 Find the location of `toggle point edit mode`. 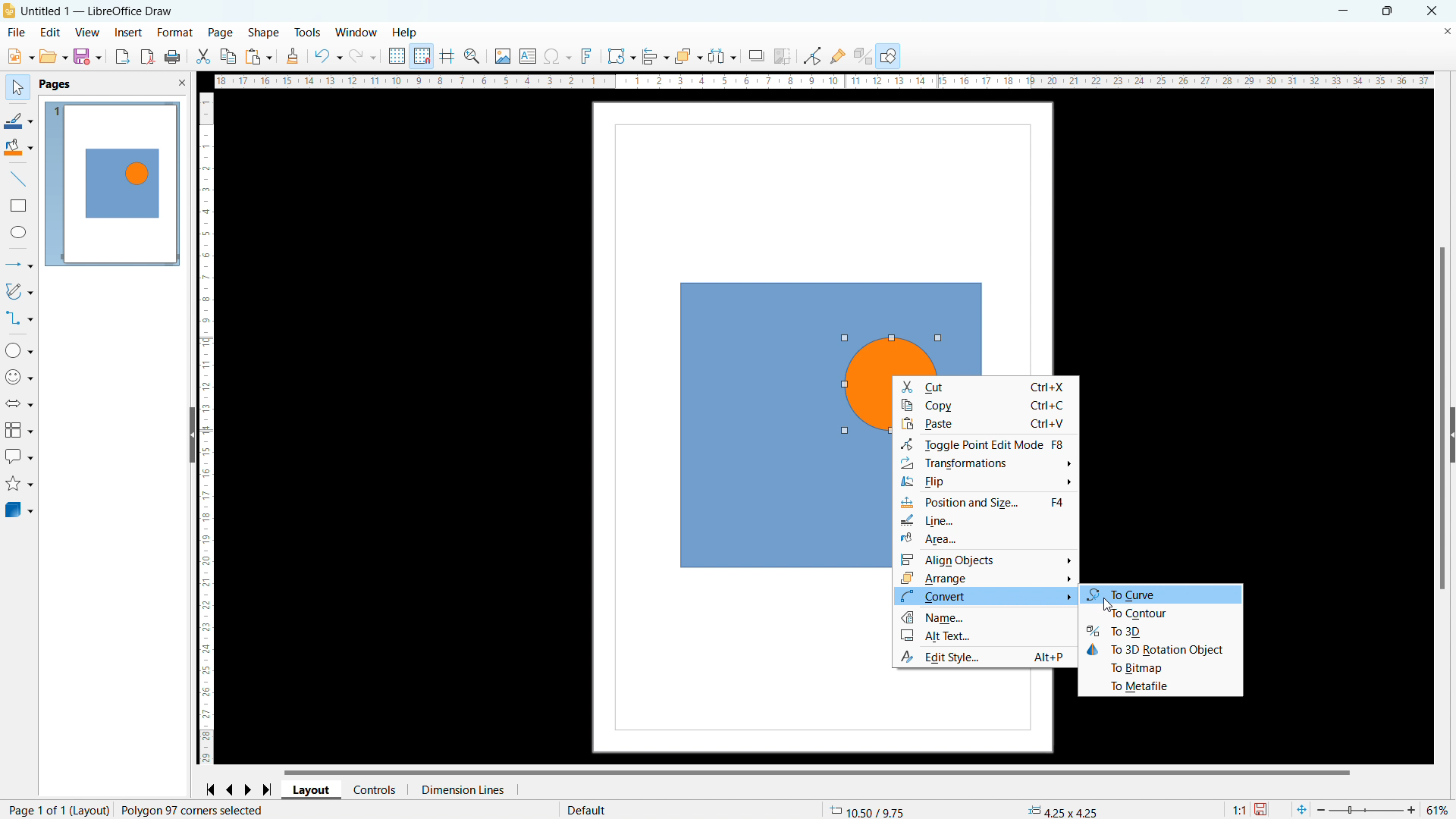

toggle point edit mode is located at coordinates (812, 55).